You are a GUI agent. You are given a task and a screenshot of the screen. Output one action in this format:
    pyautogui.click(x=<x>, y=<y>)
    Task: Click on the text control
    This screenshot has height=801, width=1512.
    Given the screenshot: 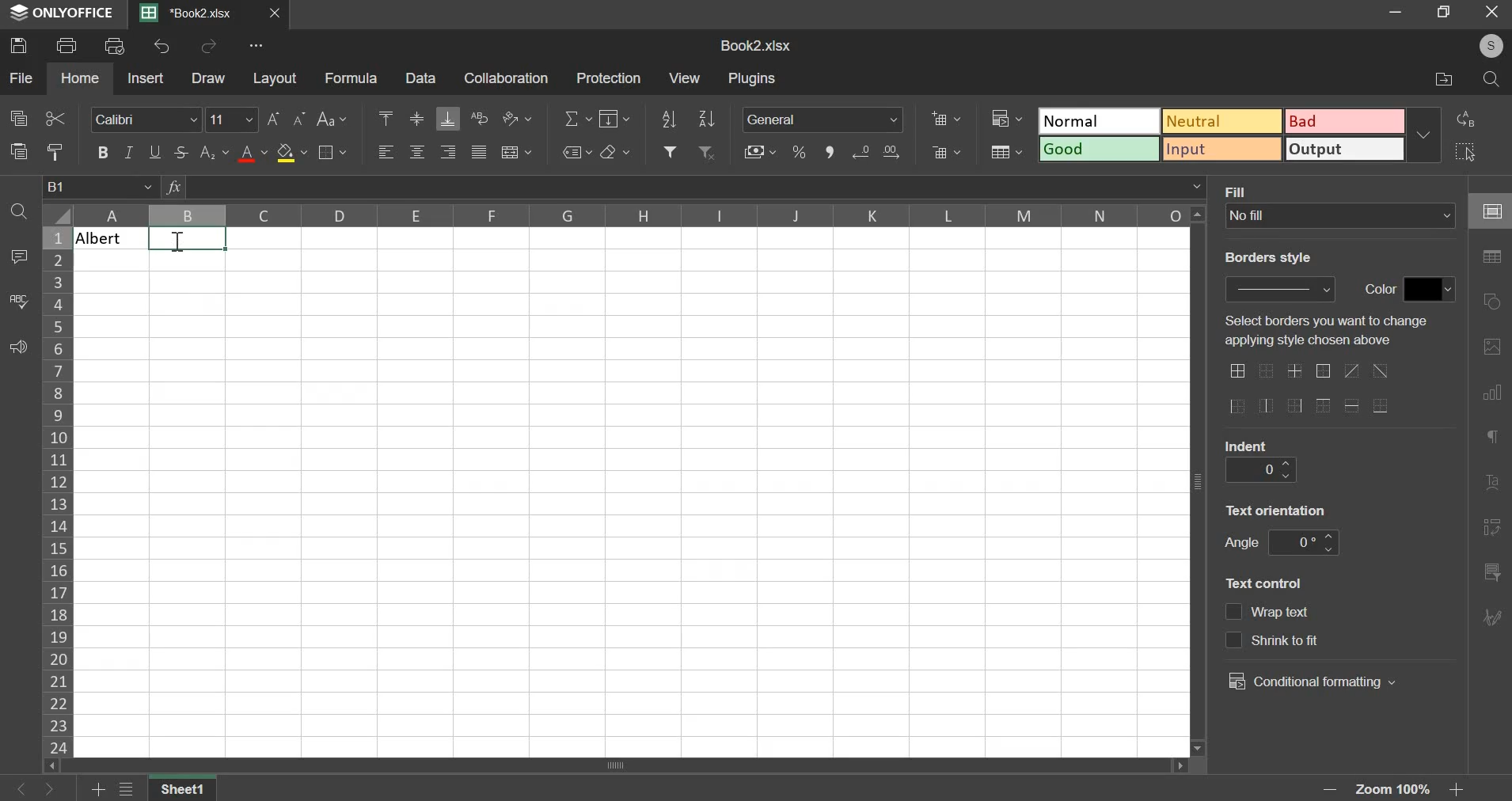 What is the action you would take?
    pyautogui.click(x=1271, y=586)
    